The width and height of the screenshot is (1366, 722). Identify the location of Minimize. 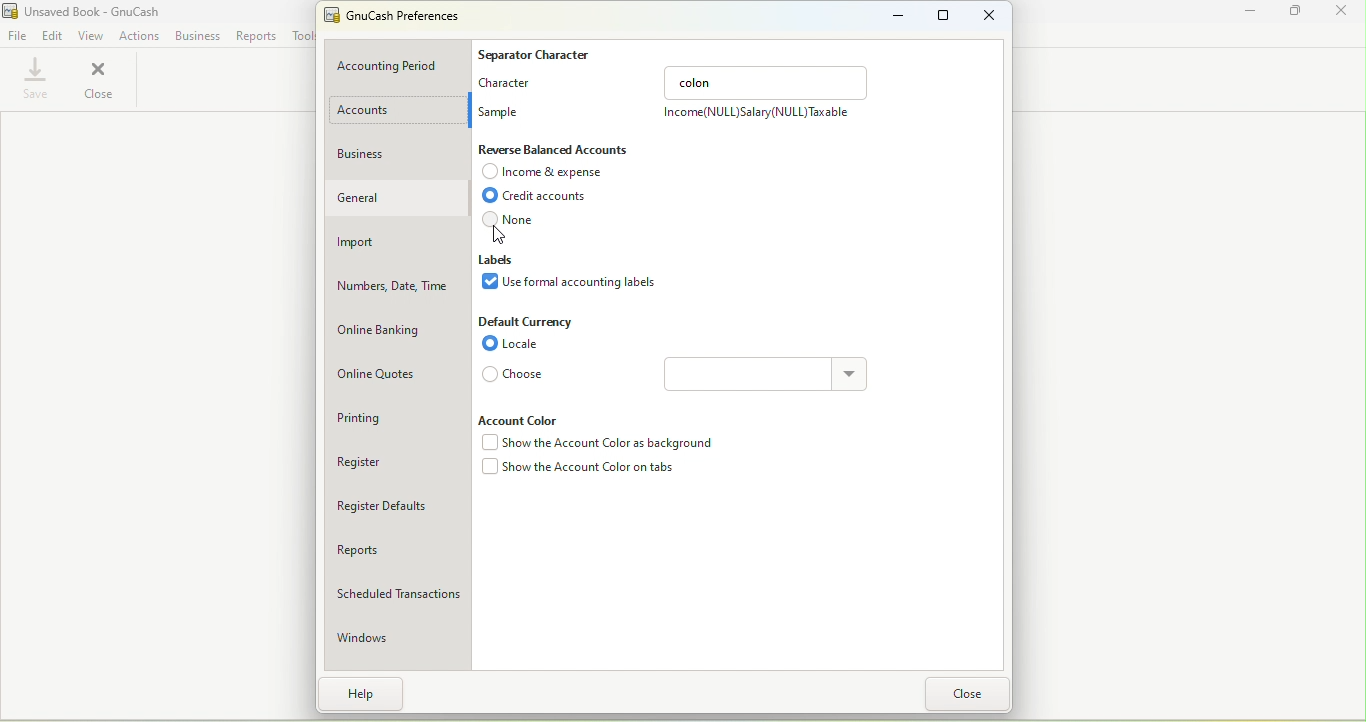
(1252, 11).